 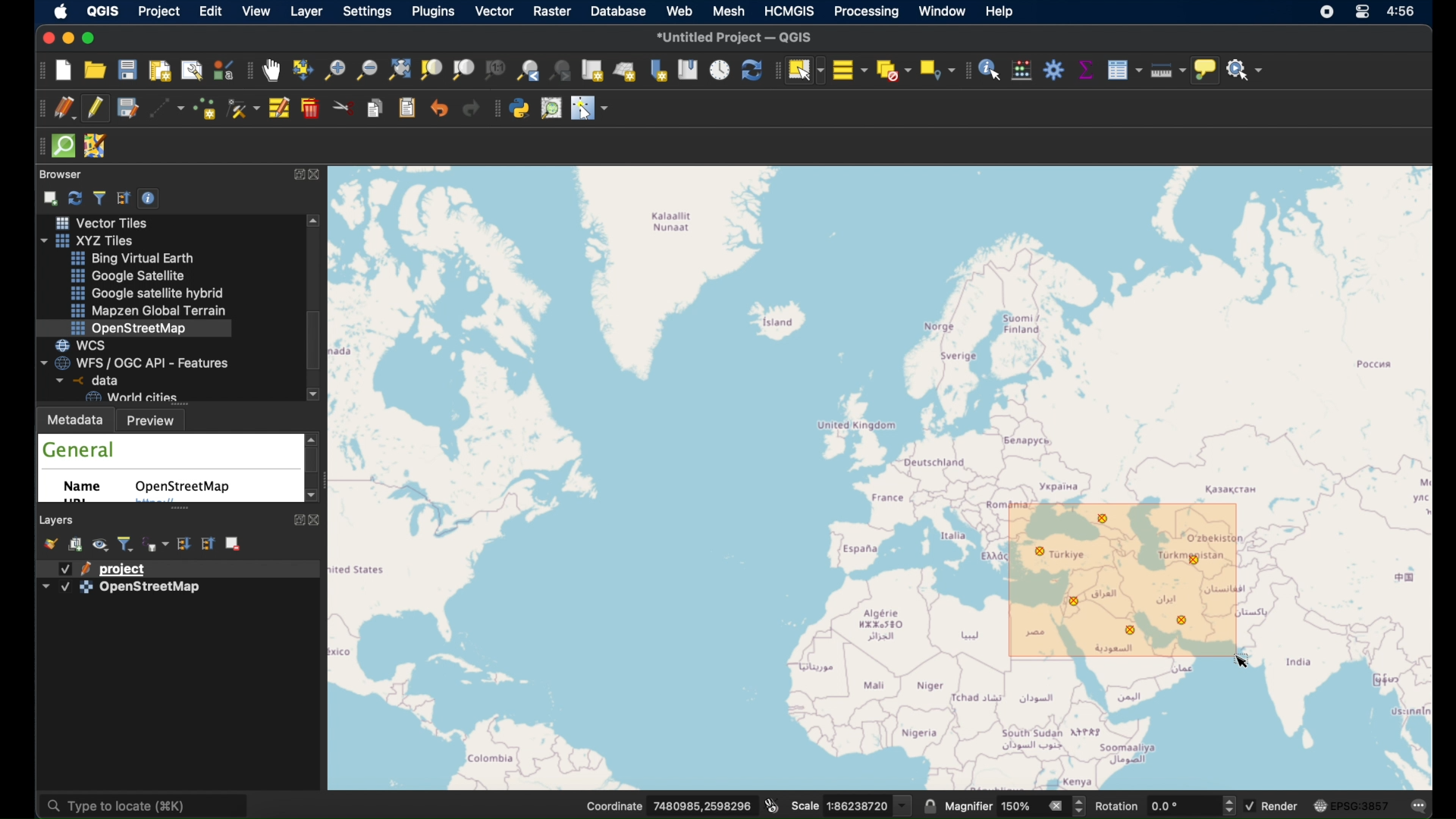 I want to click on project toolbar, so click(x=38, y=72).